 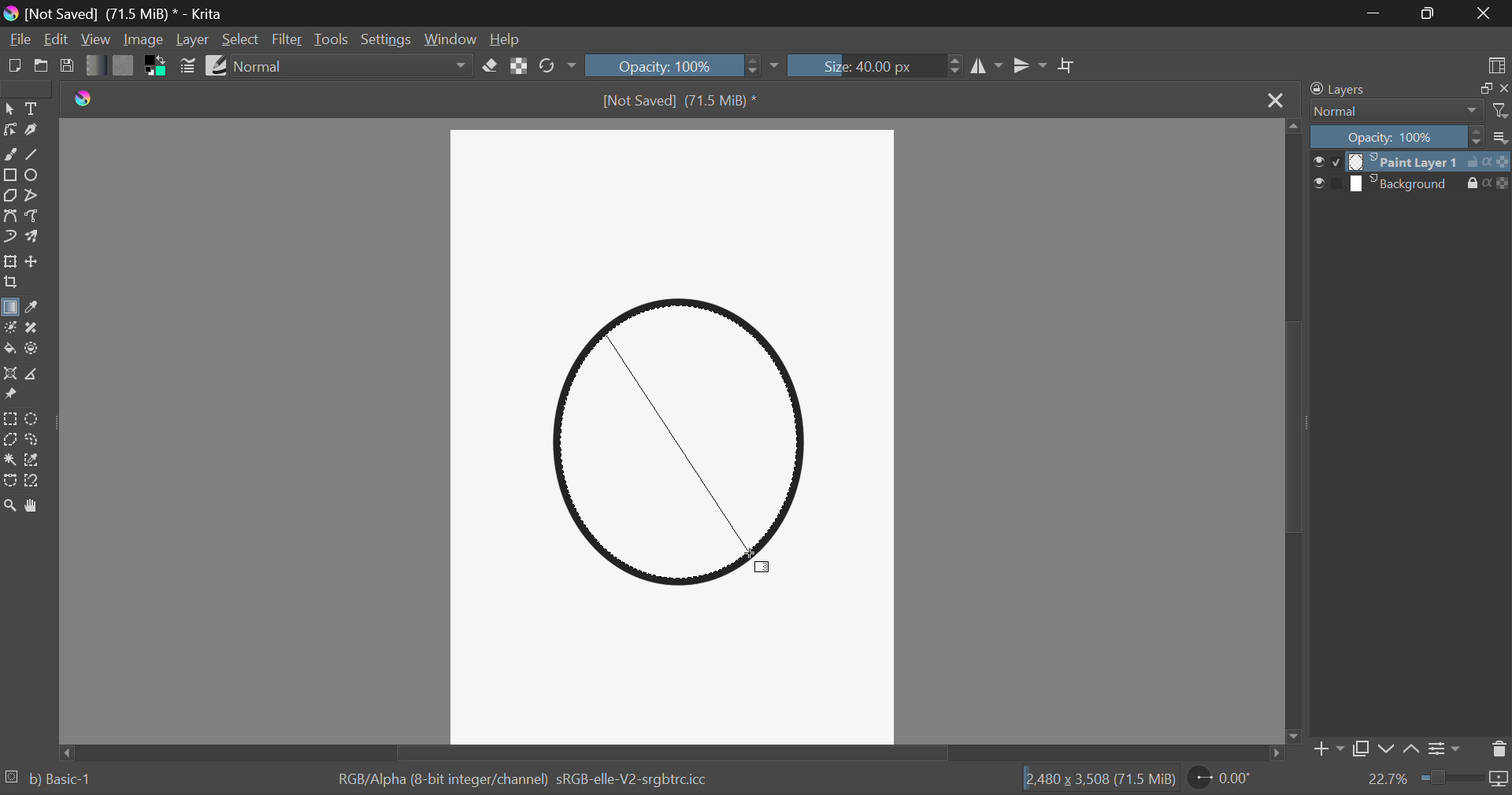 What do you see at coordinates (10, 350) in the screenshot?
I see `Fill` at bounding box center [10, 350].